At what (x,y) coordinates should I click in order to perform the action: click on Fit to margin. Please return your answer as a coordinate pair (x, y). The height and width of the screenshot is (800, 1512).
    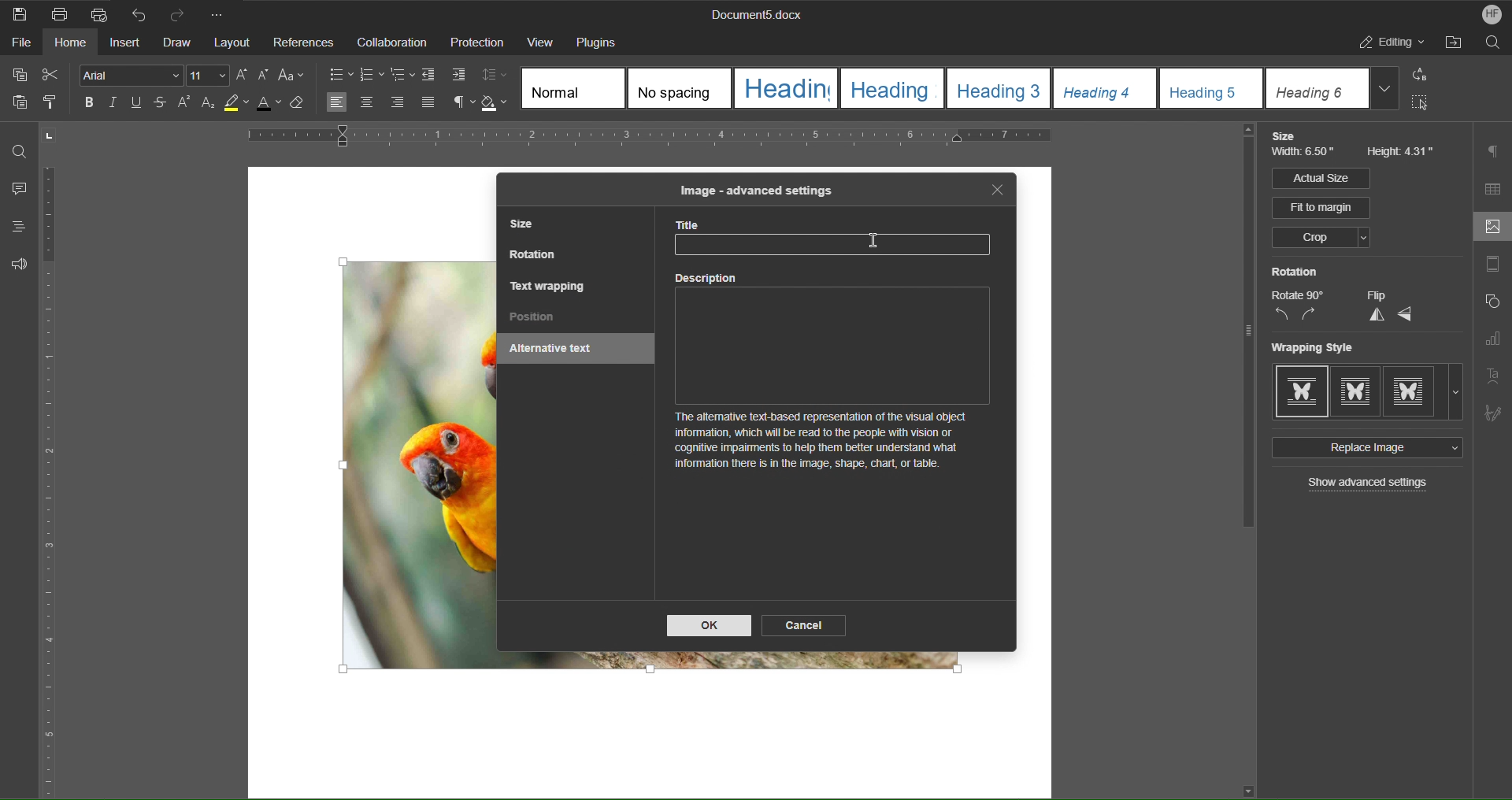
    Looking at the image, I should click on (1322, 208).